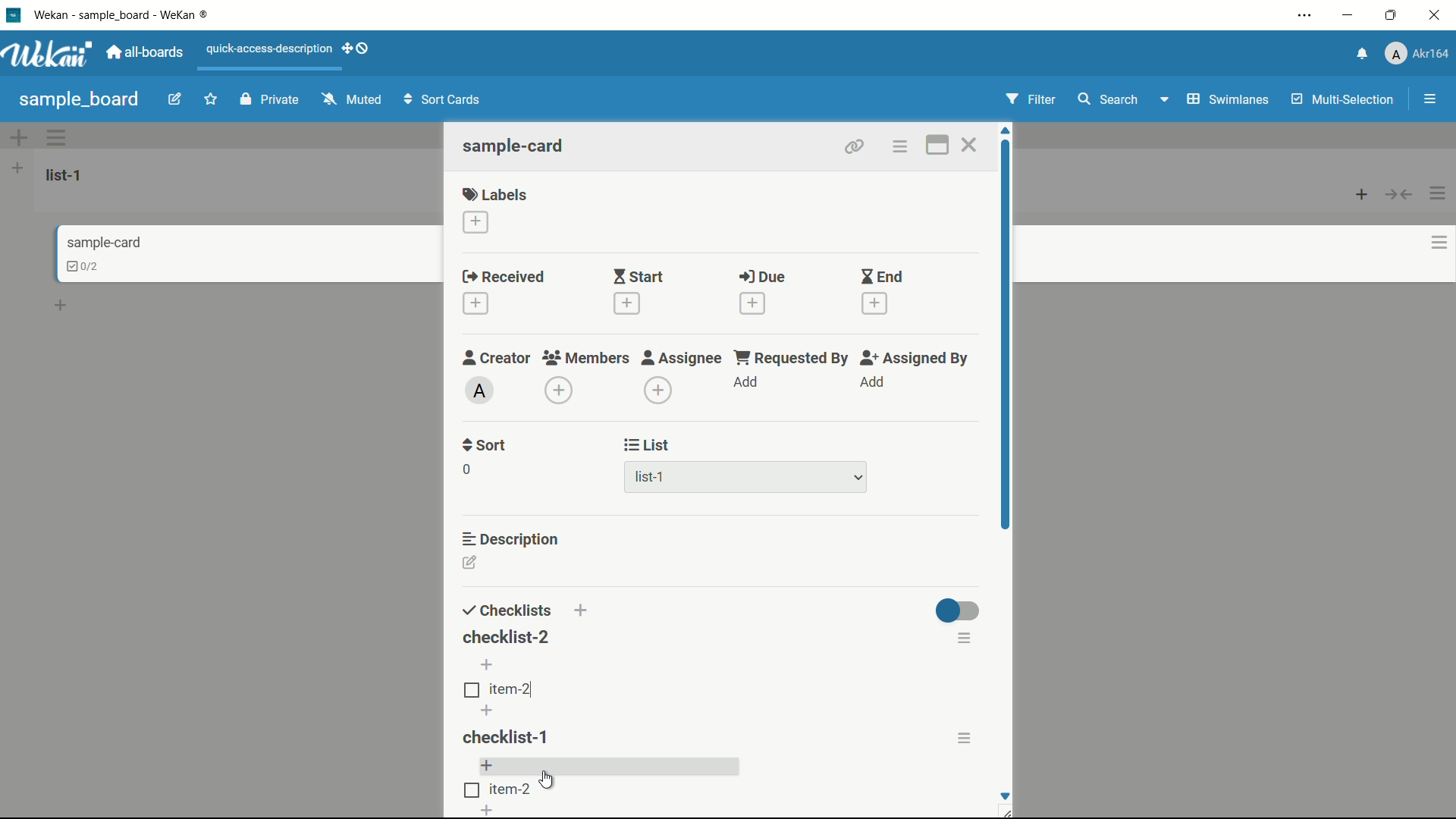  Describe the element at coordinates (1226, 99) in the screenshot. I see `swimlanes` at that location.